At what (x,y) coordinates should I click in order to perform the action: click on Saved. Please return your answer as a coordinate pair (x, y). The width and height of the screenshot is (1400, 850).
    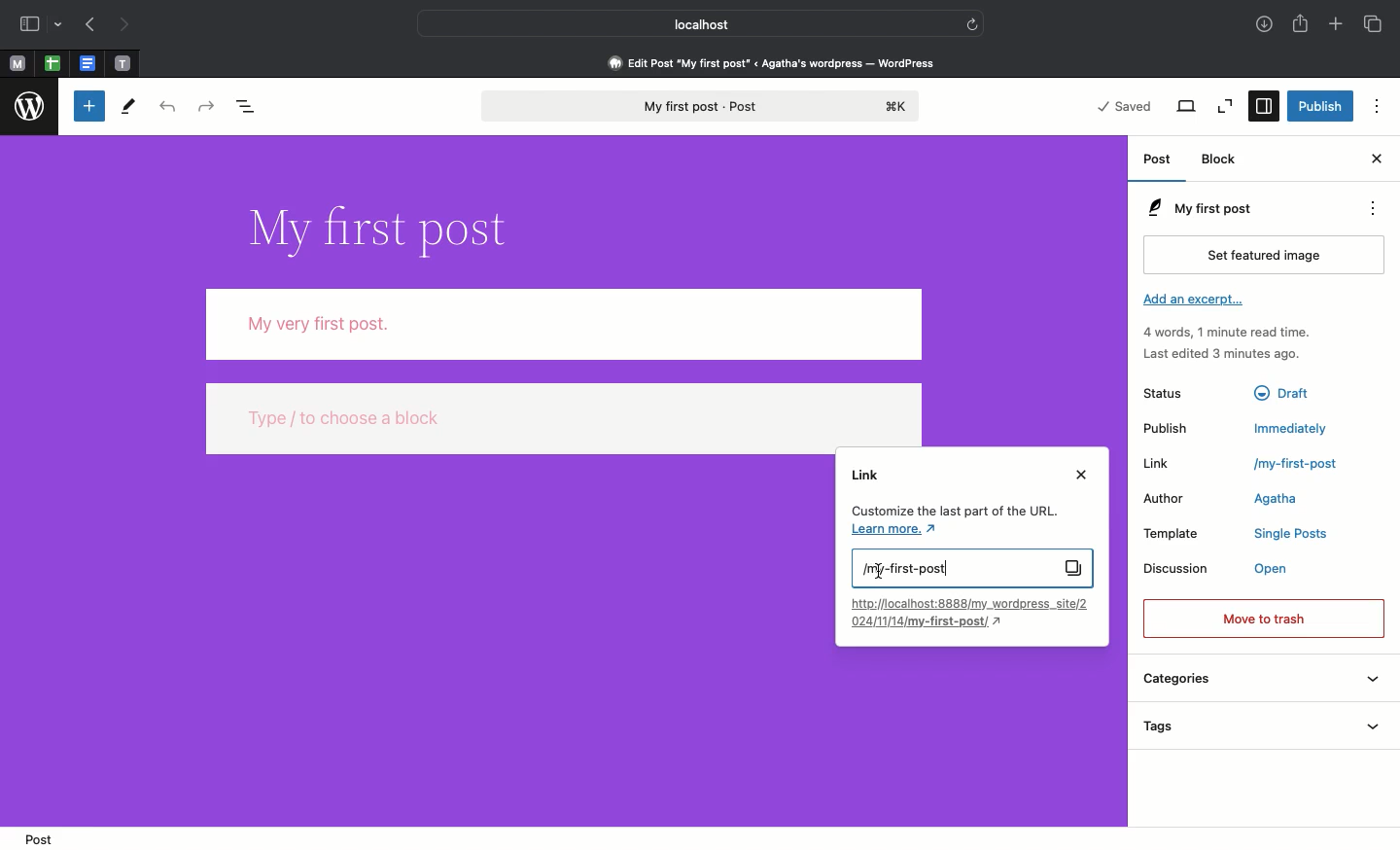
    Looking at the image, I should click on (1125, 106).